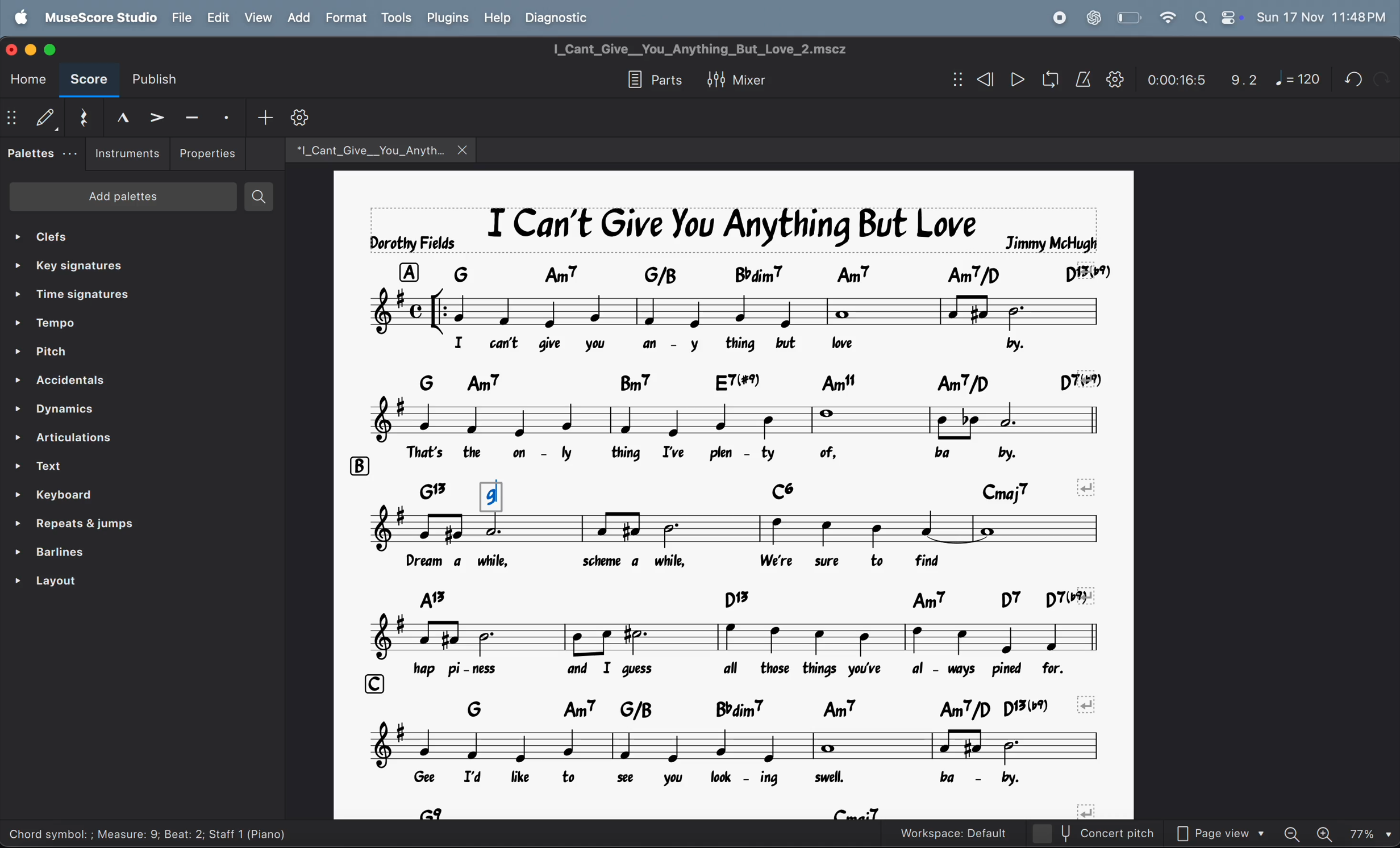 This screenshot has width=1400, height=848. What do you see at coordinates (447, 19) in the screenshot?
I see `plugins` at bounding box center [447, 19].